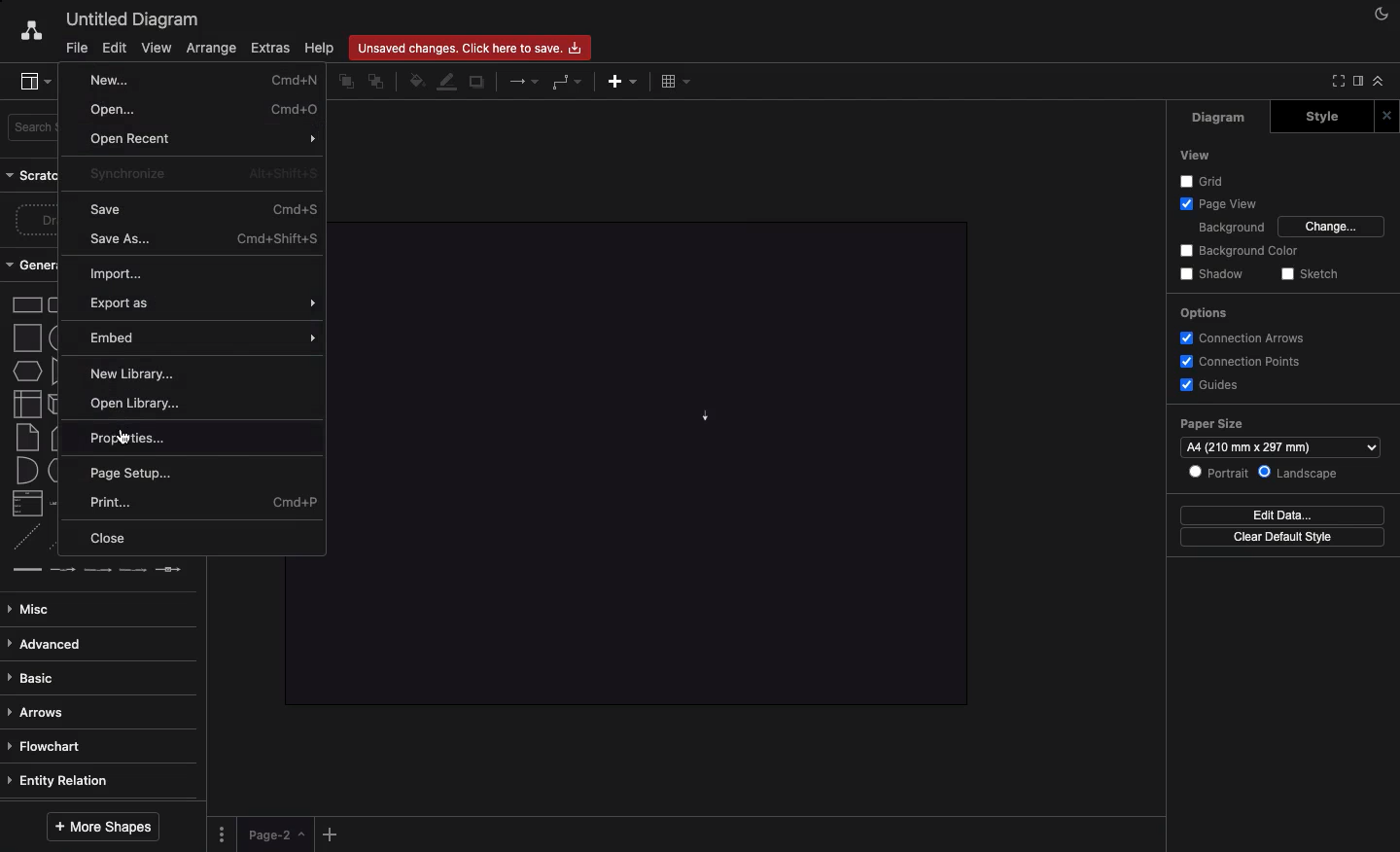 The width and height of the screenshot is (1400, 852). What do you see at coordinates (277, 834) in the screenshot?
I see `Page` at bounding box center [277, 834].